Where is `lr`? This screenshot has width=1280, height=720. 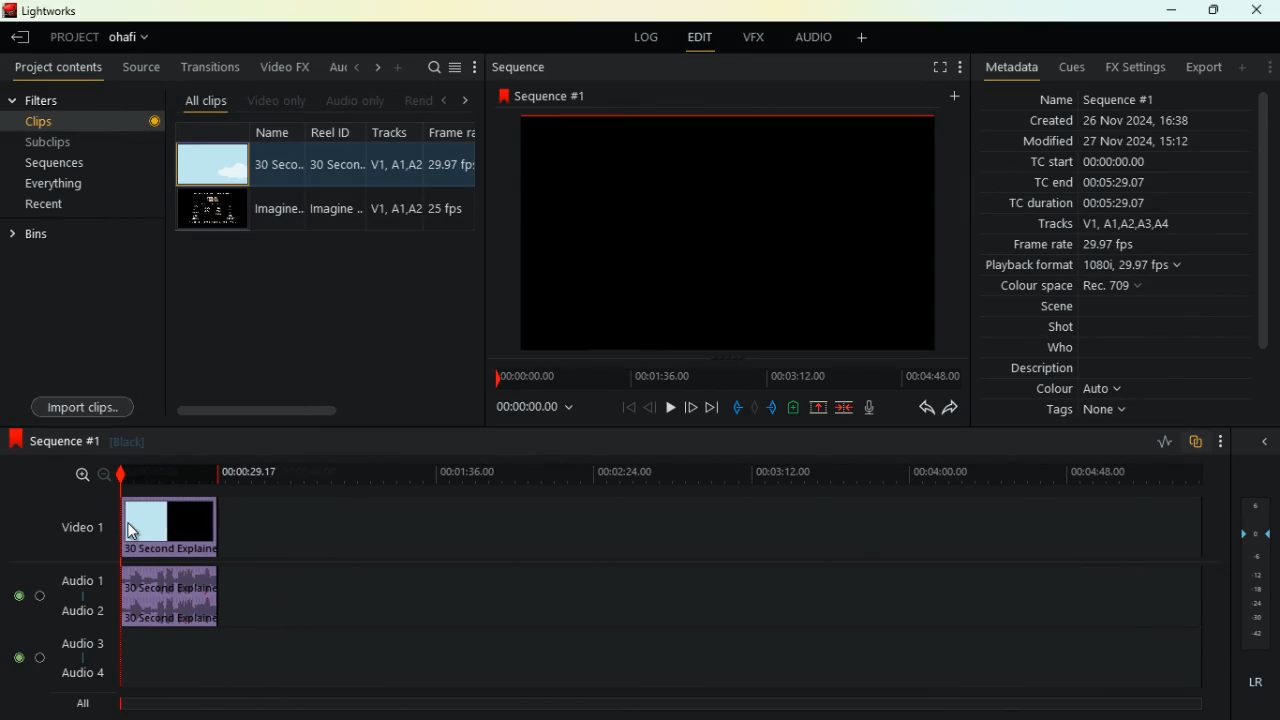
lr is located at coordinates (1248, 684).